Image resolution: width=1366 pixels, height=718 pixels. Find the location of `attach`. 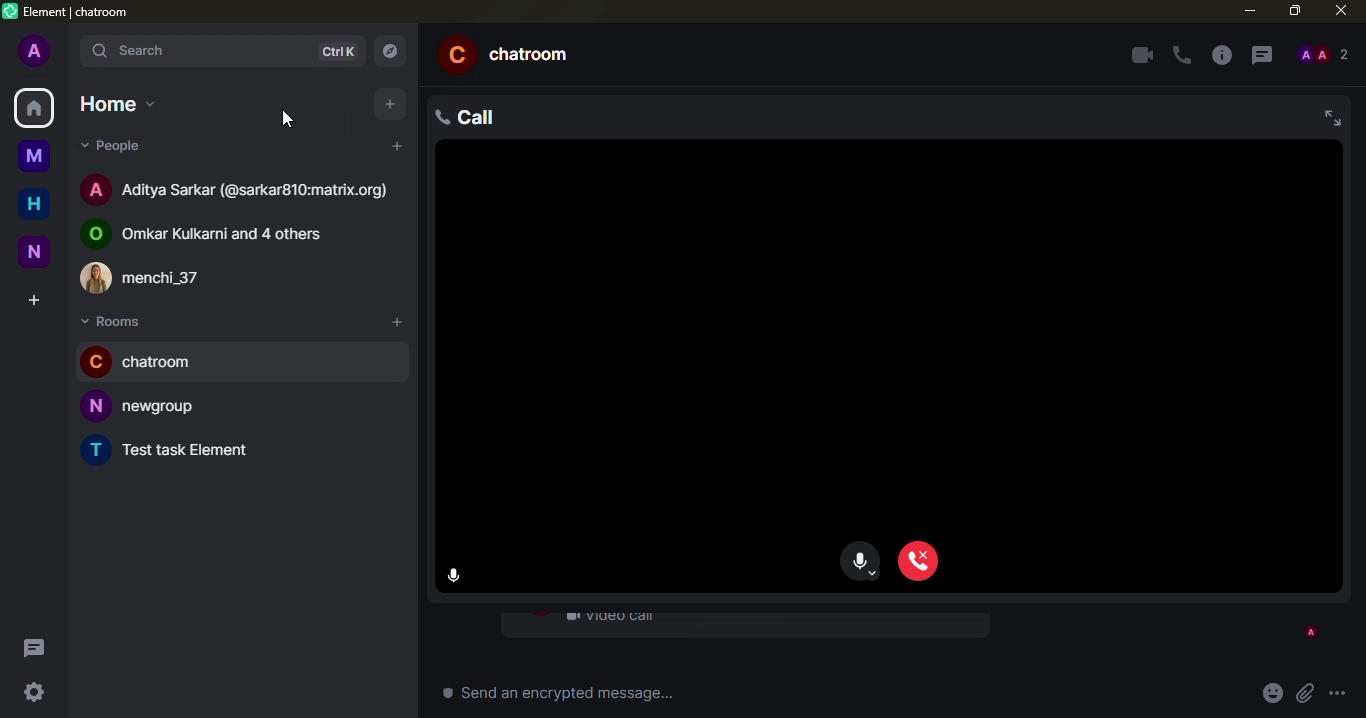

attach is located at coordinates (1304, 693).